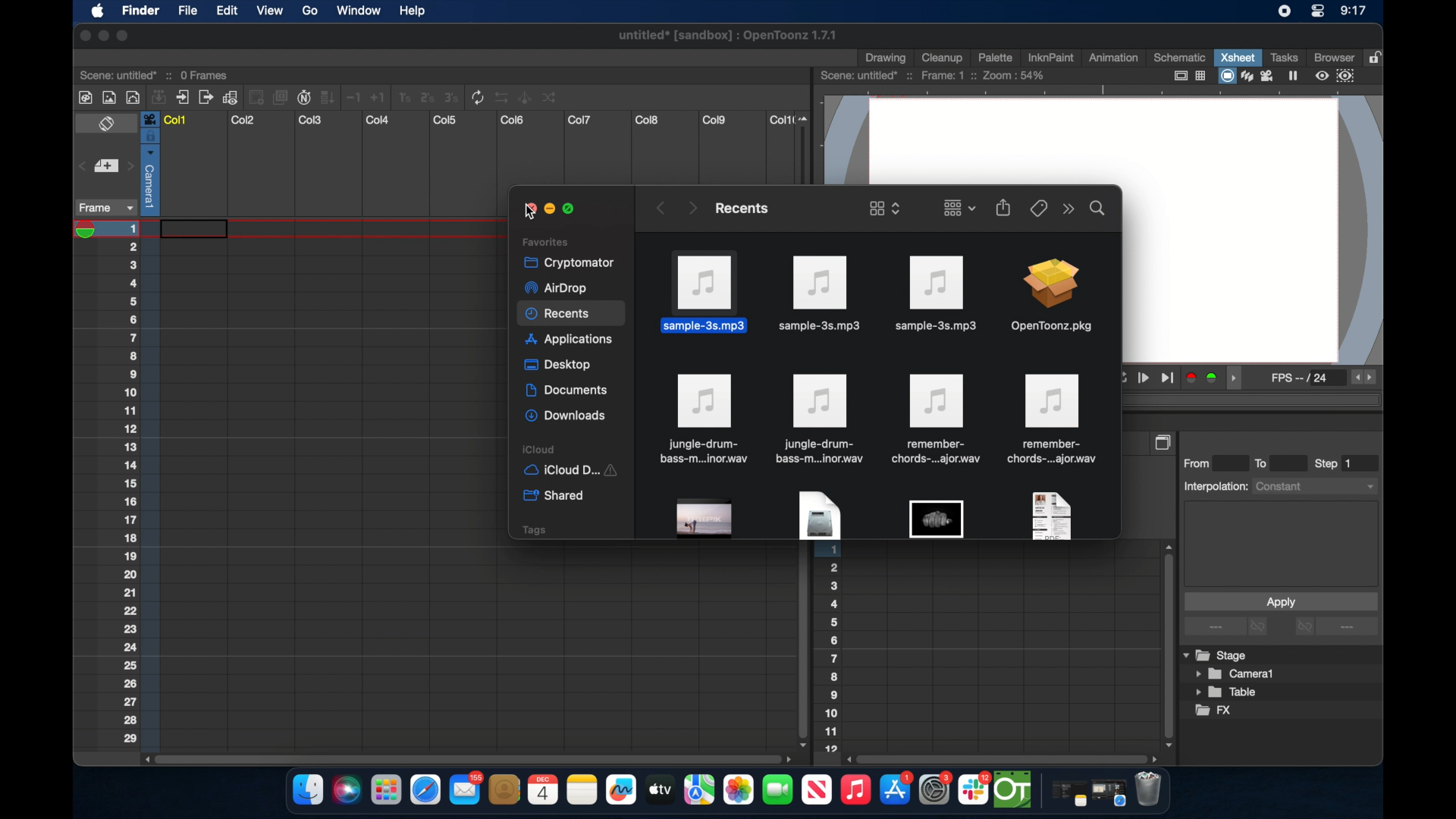 The image size is (1456, 819). What do you see at coordinates (1098, 207) in the screenshot?
I see `search` at bounding box center [1098, 207].